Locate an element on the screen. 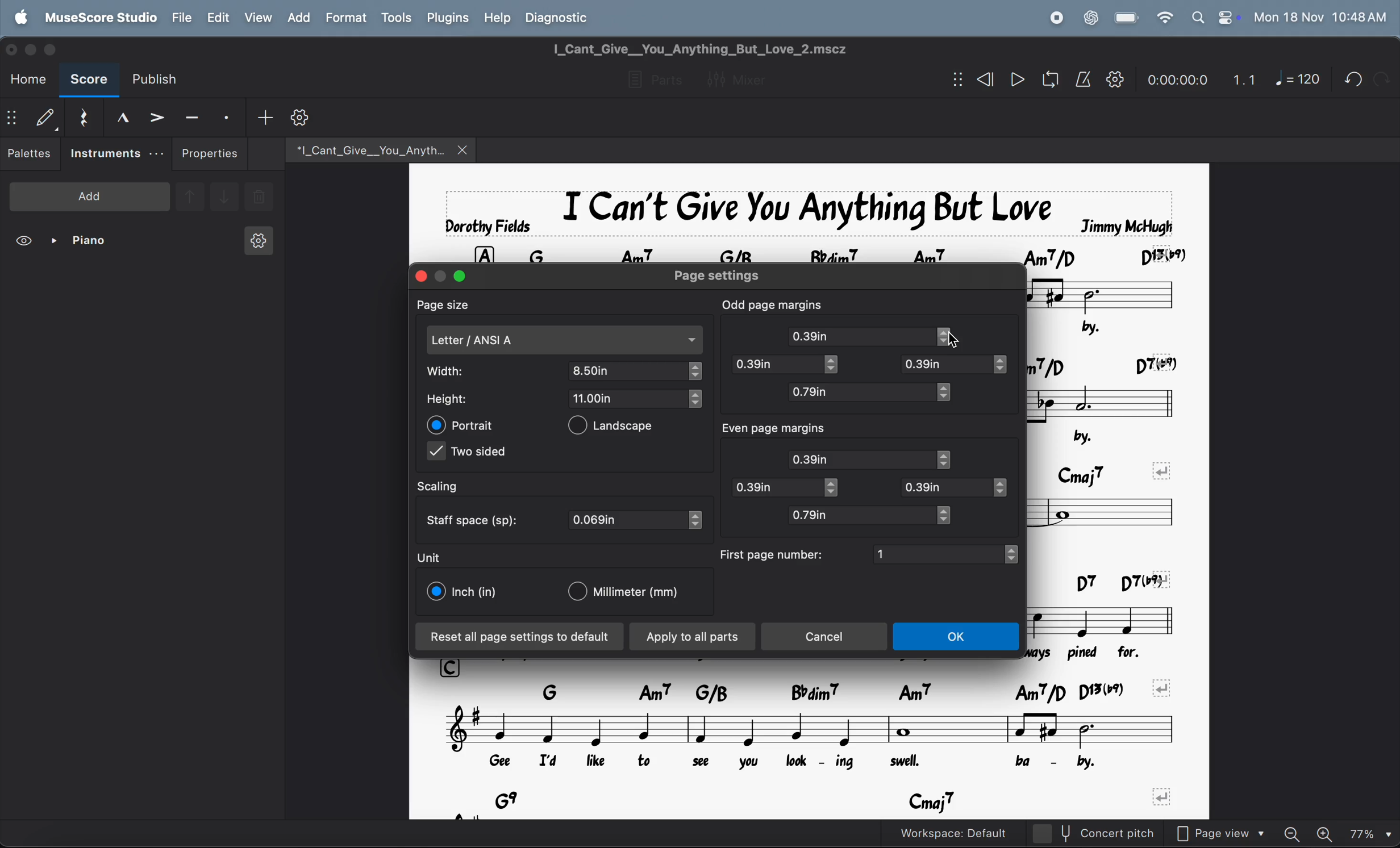  instruments... is located at coordinates (116, 154).